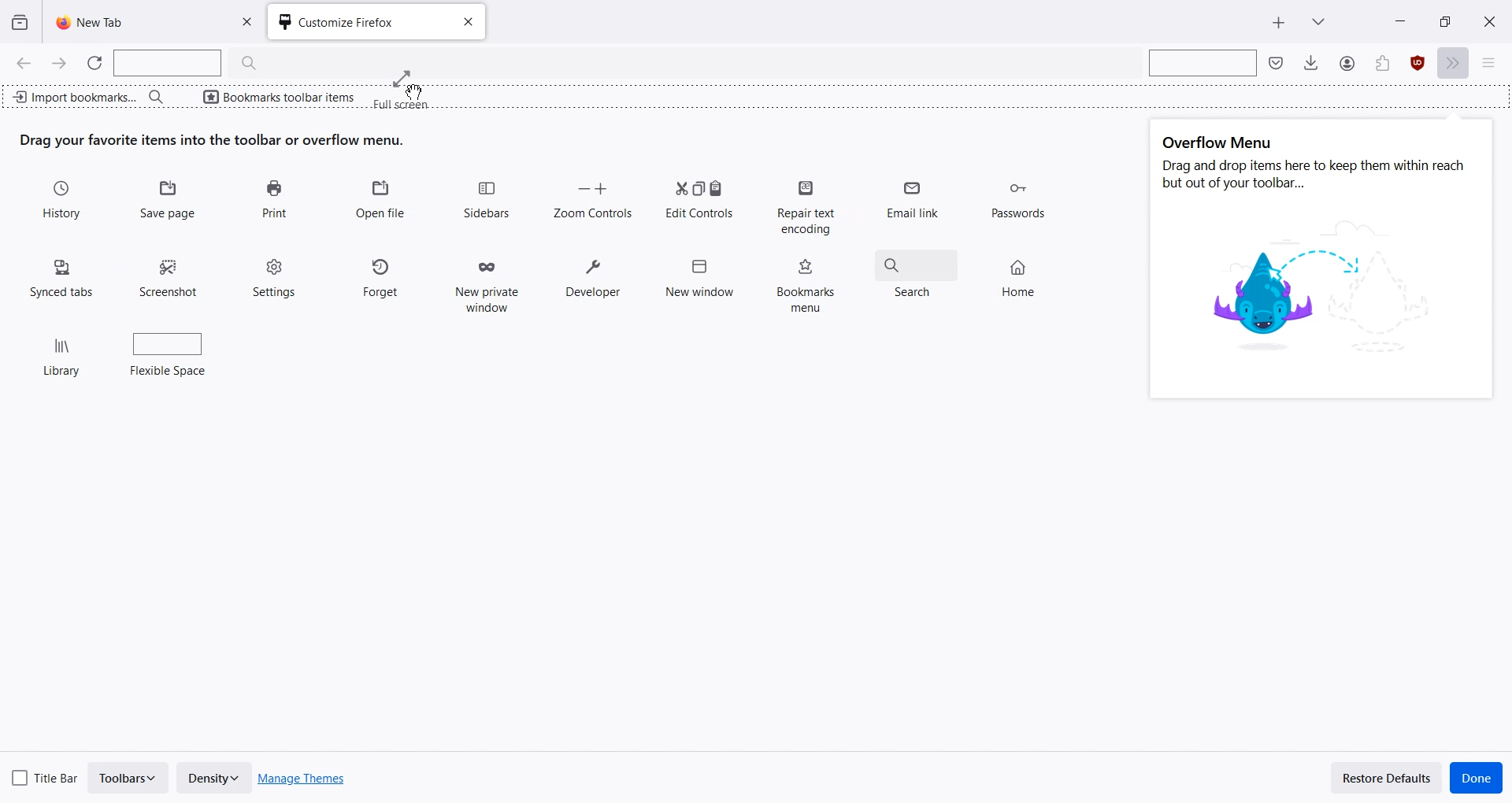 This screenshot has width=1512, height=803. What do you see at coordinates (1316, 164) in the screenshot?
I see `Text` at bounding box center [1316, 164].